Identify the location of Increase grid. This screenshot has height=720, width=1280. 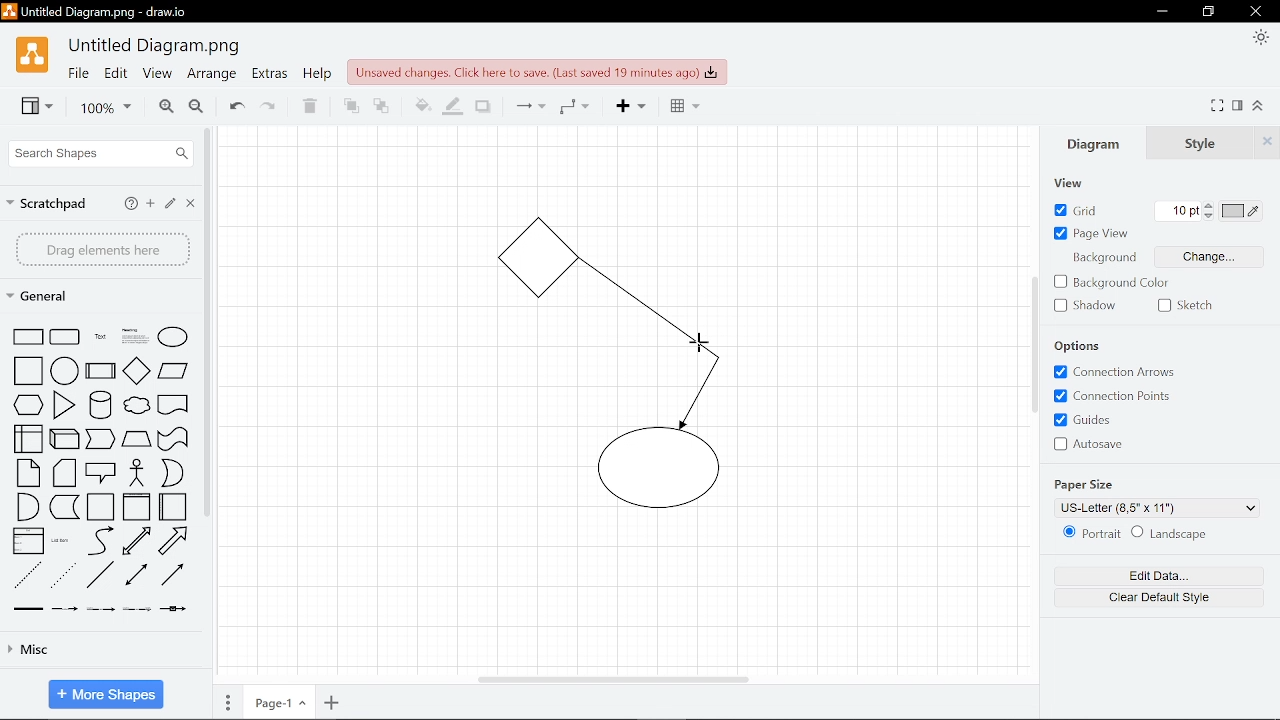
(1209, 205).